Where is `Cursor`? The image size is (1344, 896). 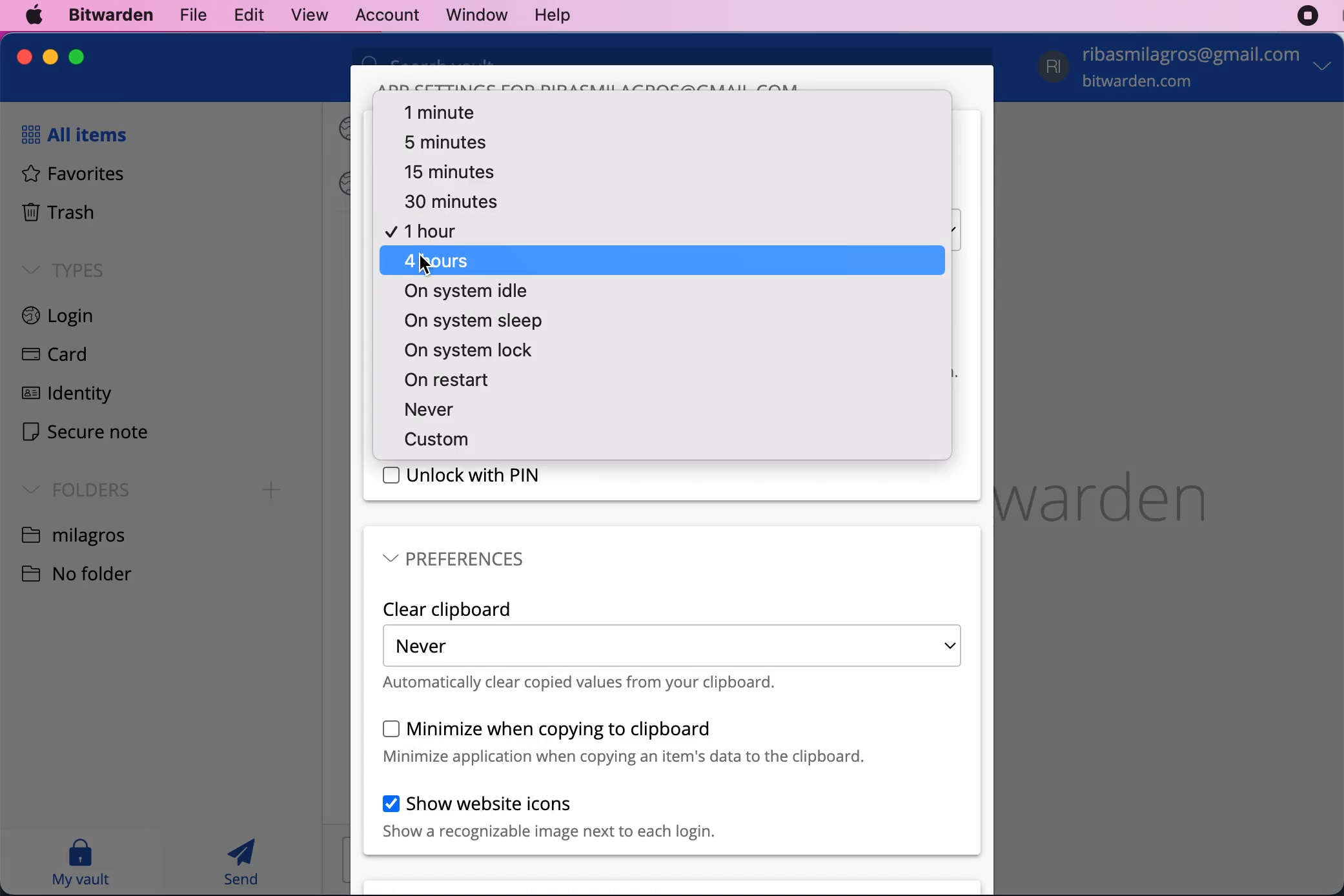 Cursor is located at coordinates (425, 265).